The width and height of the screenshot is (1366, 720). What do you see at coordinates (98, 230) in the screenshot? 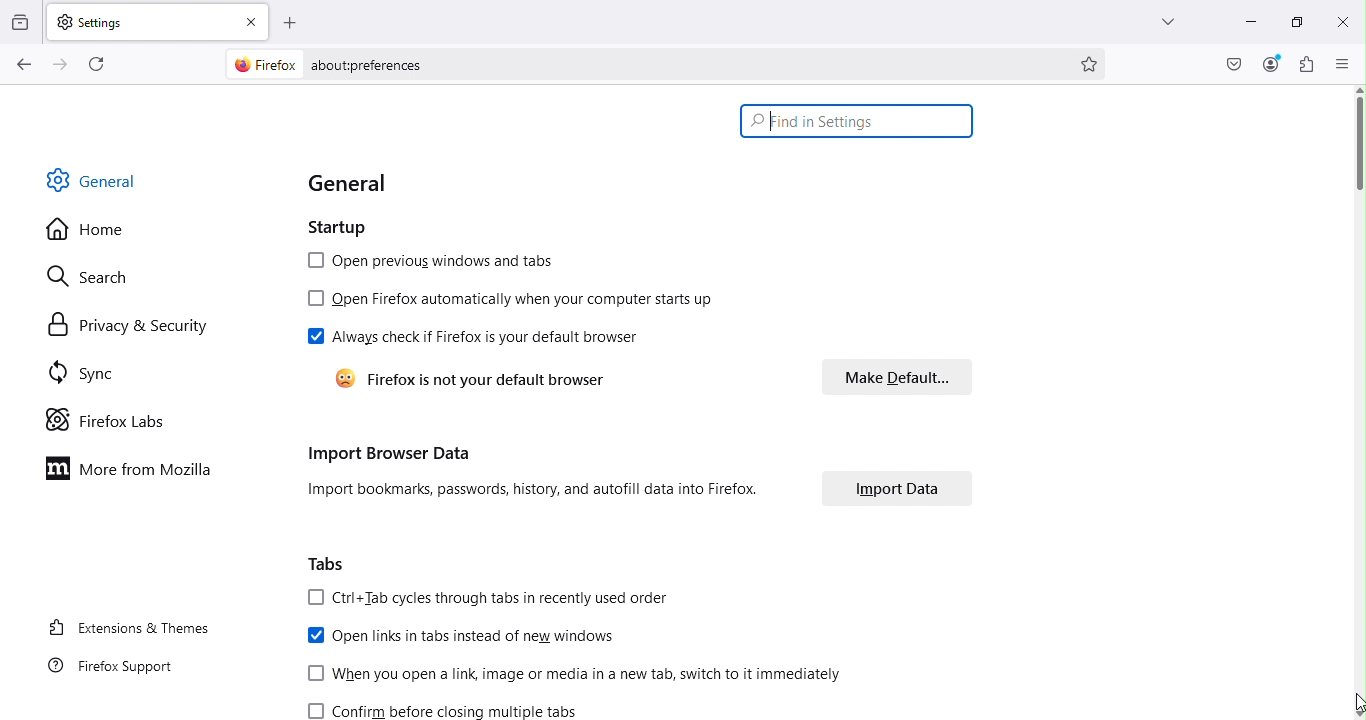
I see `Home` at bounding box center [98, 230].